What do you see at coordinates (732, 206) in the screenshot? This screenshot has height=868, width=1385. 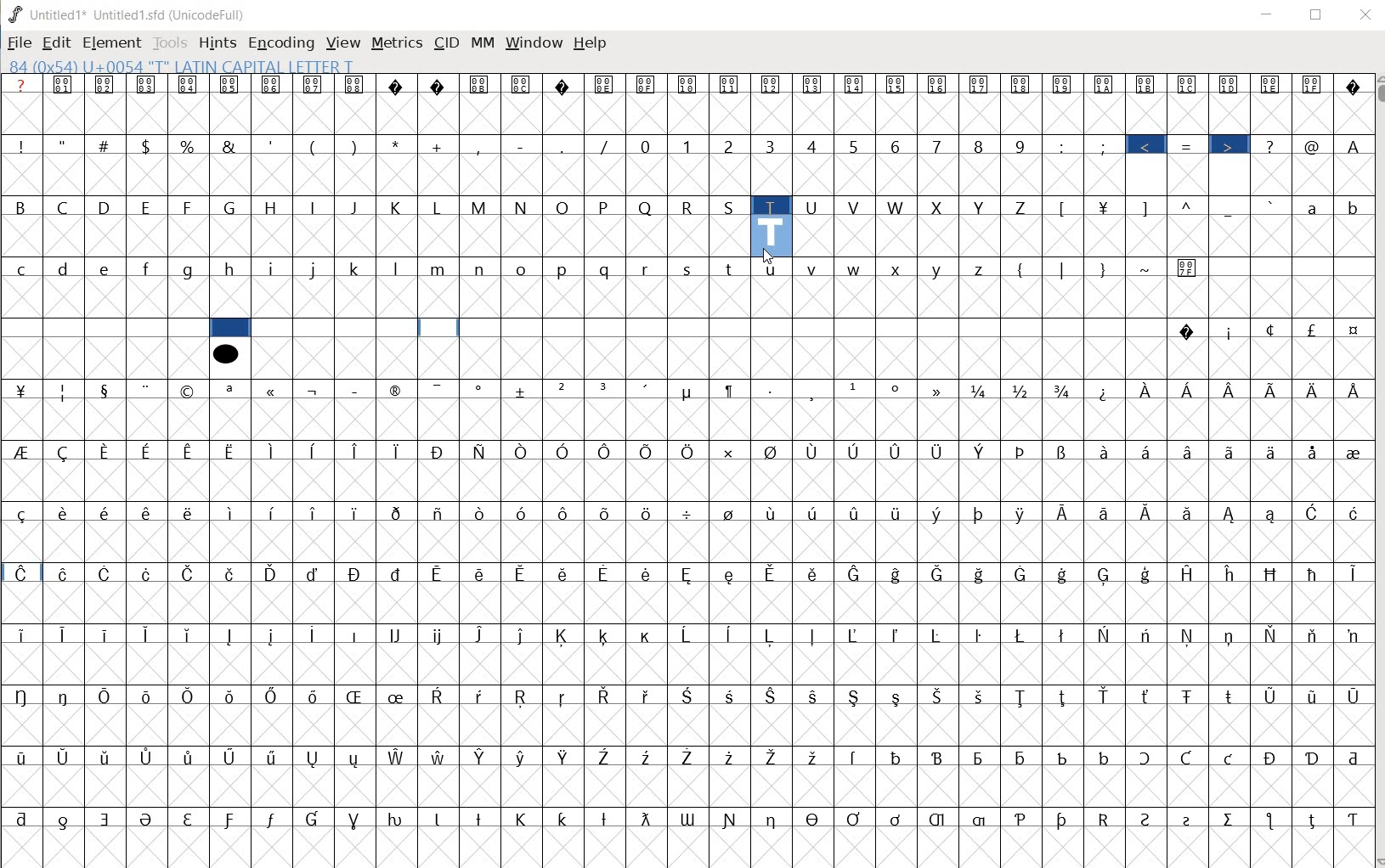 I see `S` at bounding box center [732, 206].